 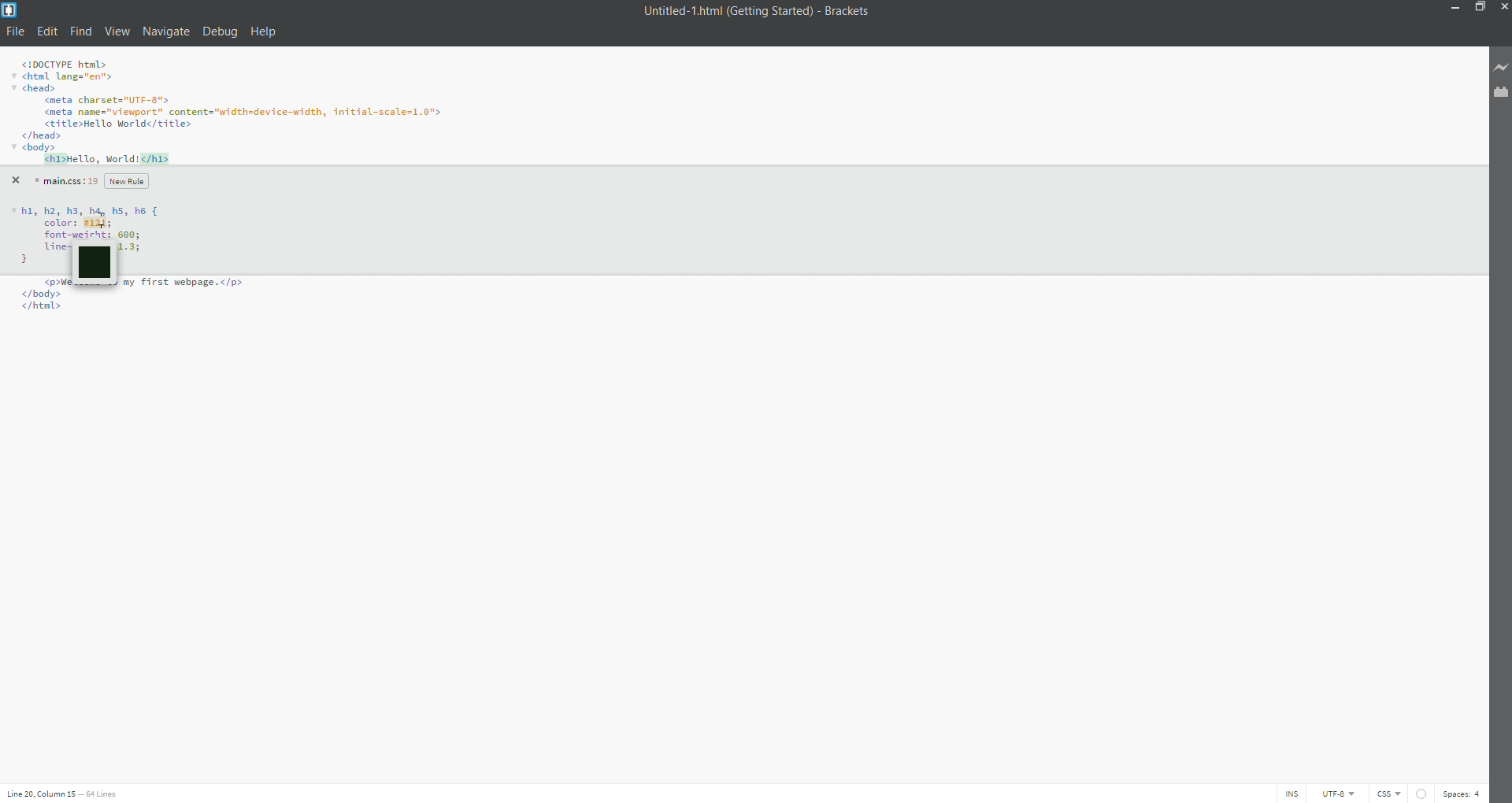 I want to click on Code, so click(x=94, y=220).